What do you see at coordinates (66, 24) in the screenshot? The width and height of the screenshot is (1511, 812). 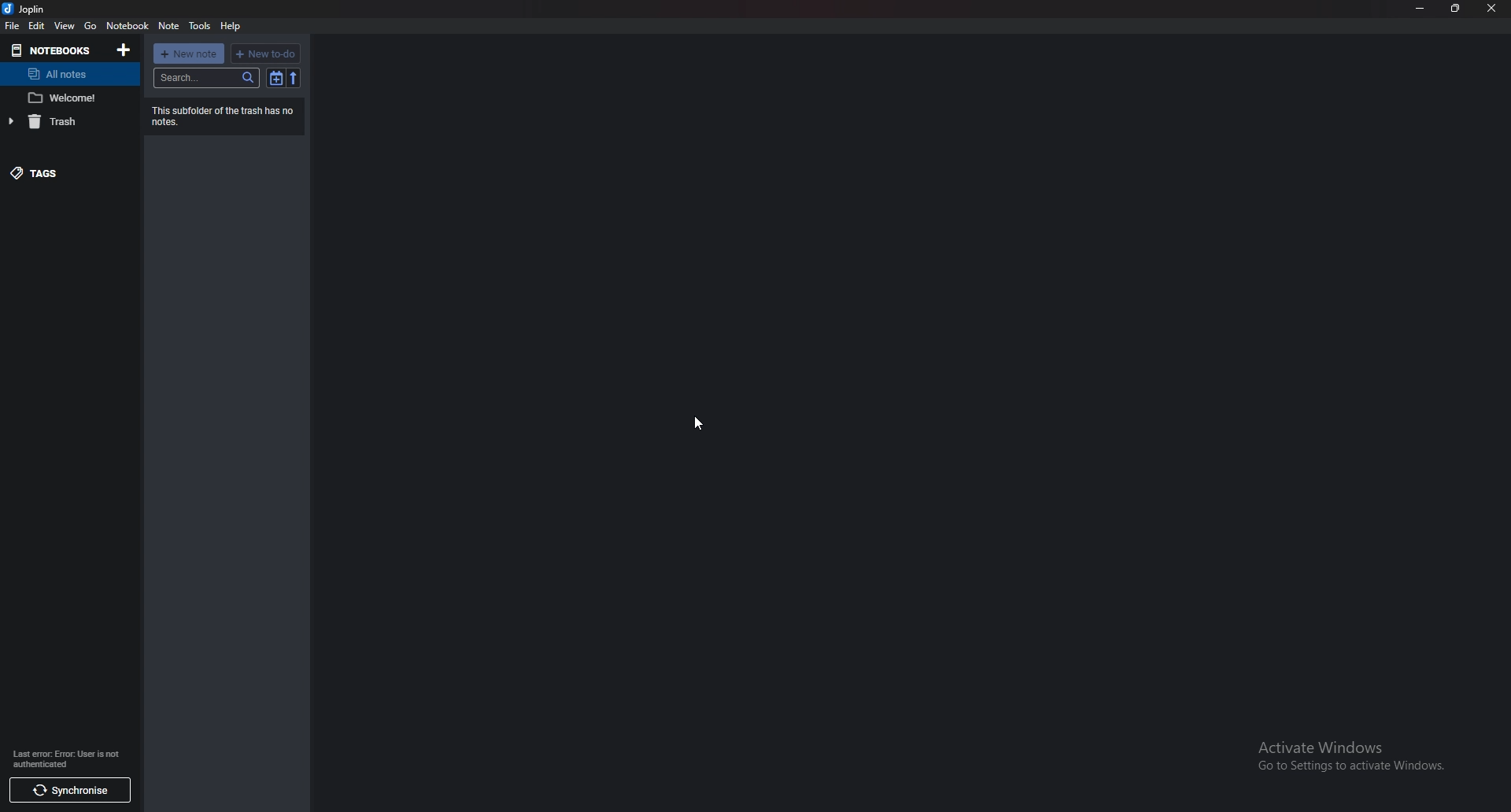 I see `view` at bounding box center [66, 24].